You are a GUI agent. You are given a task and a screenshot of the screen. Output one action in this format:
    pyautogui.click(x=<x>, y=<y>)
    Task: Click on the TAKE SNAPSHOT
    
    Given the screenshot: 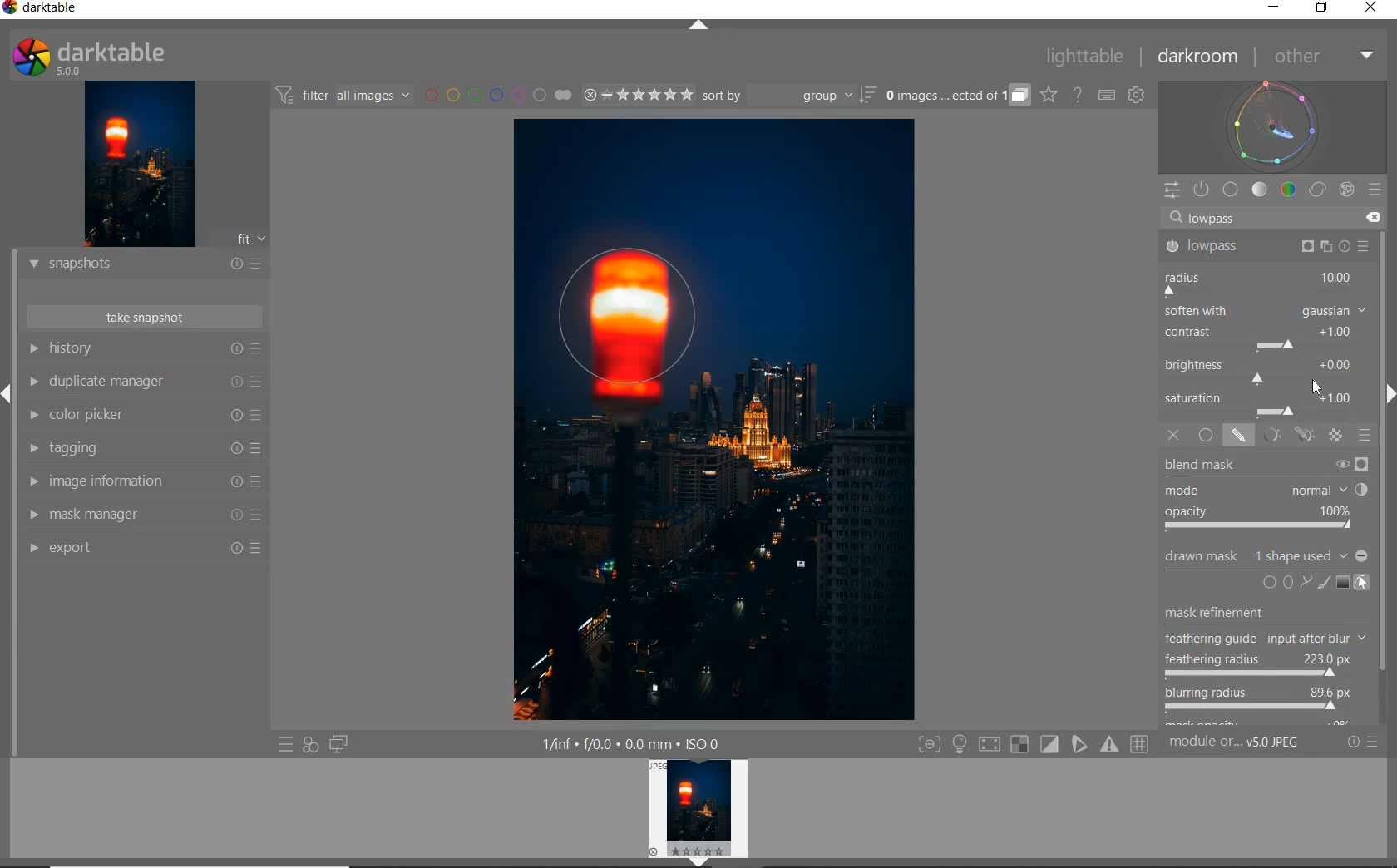 What is the action you would take?
    pyautogui.click(x=143, y=318)
    